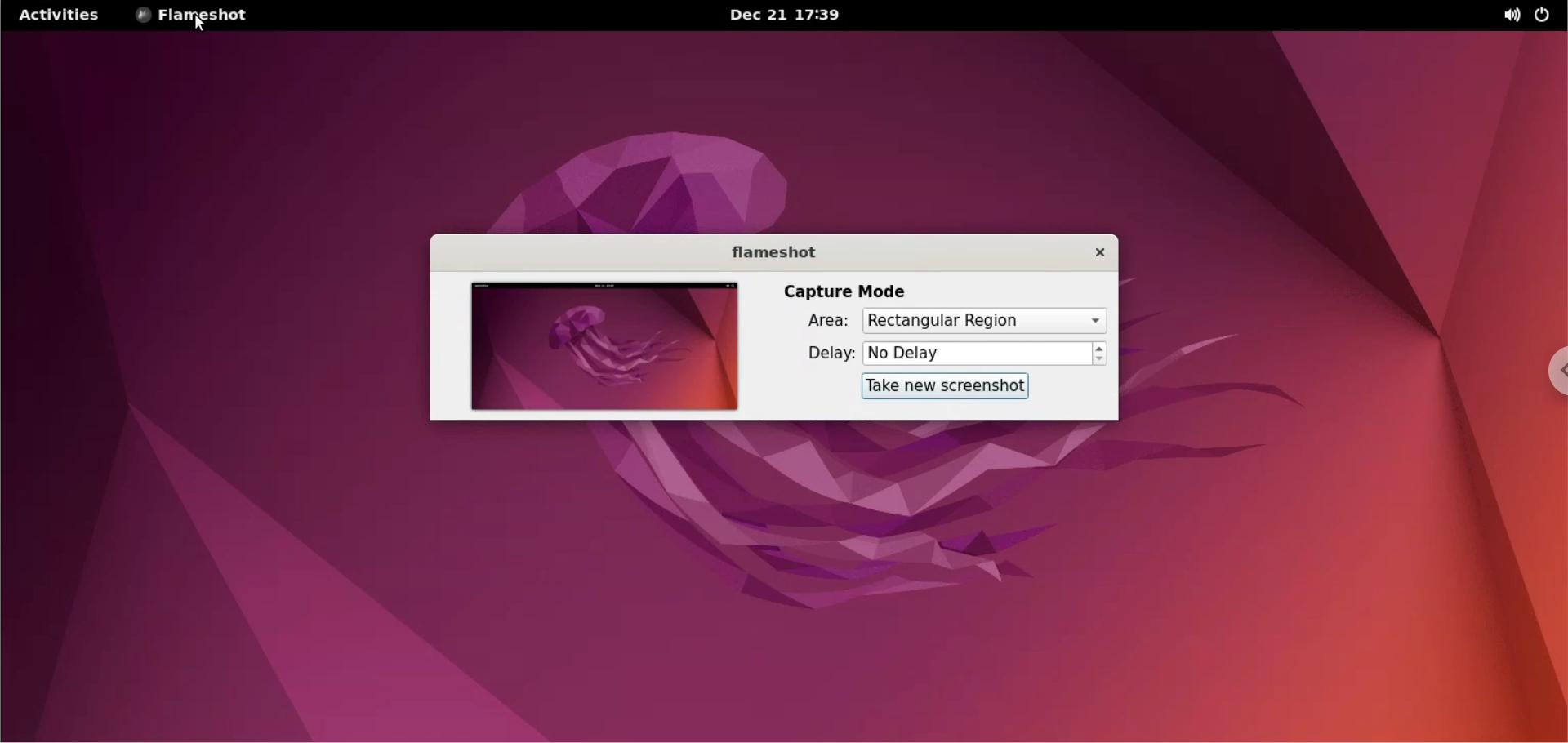  Describe the element at coordinates (937, 387) in the screenshot. I see `take new screenshot` at that location.